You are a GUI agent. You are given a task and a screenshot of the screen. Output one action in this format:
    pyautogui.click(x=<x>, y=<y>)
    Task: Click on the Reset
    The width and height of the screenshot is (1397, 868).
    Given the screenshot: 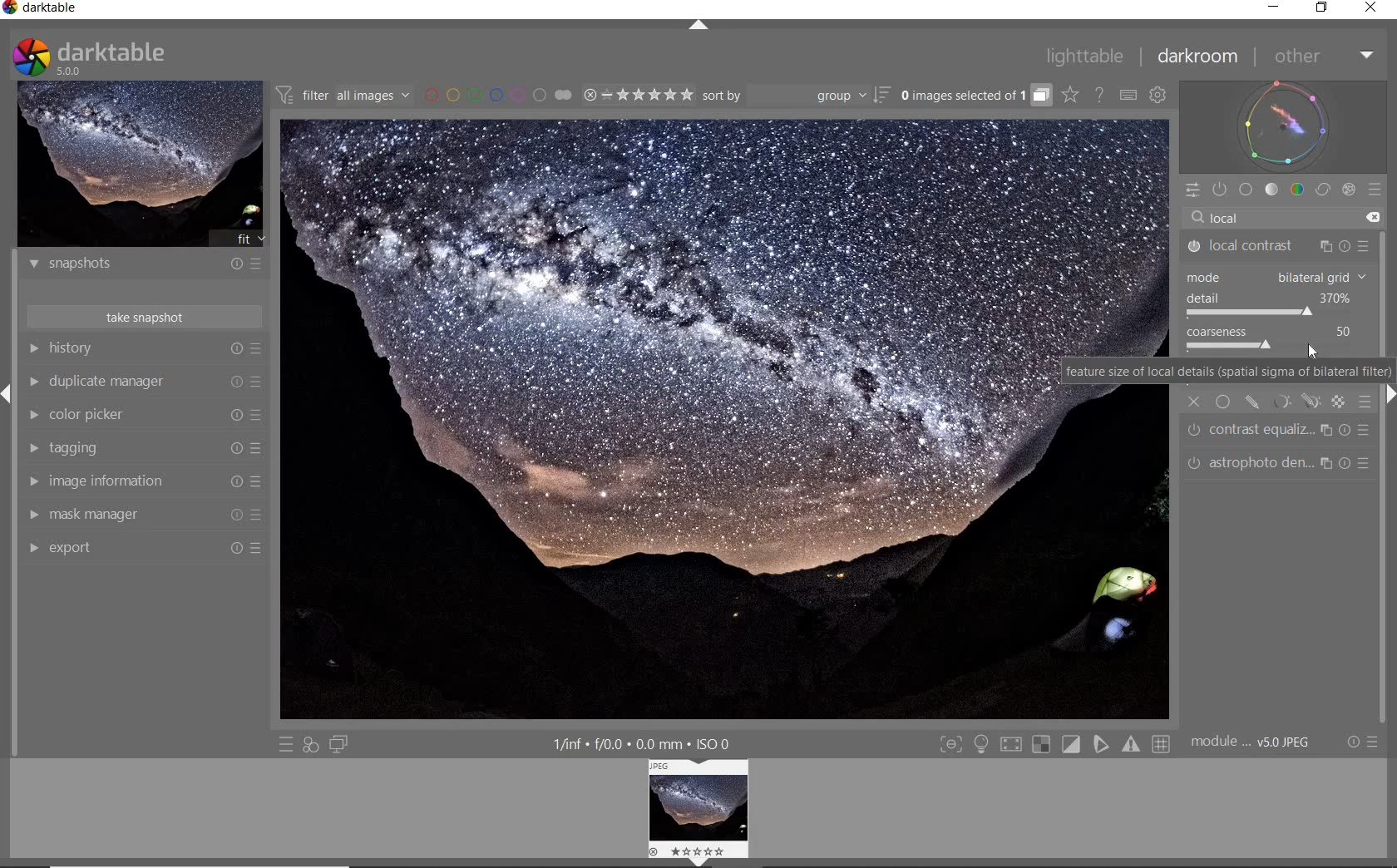 What is the action you would take?
    pyautogui.click(x=235, y=481)
    